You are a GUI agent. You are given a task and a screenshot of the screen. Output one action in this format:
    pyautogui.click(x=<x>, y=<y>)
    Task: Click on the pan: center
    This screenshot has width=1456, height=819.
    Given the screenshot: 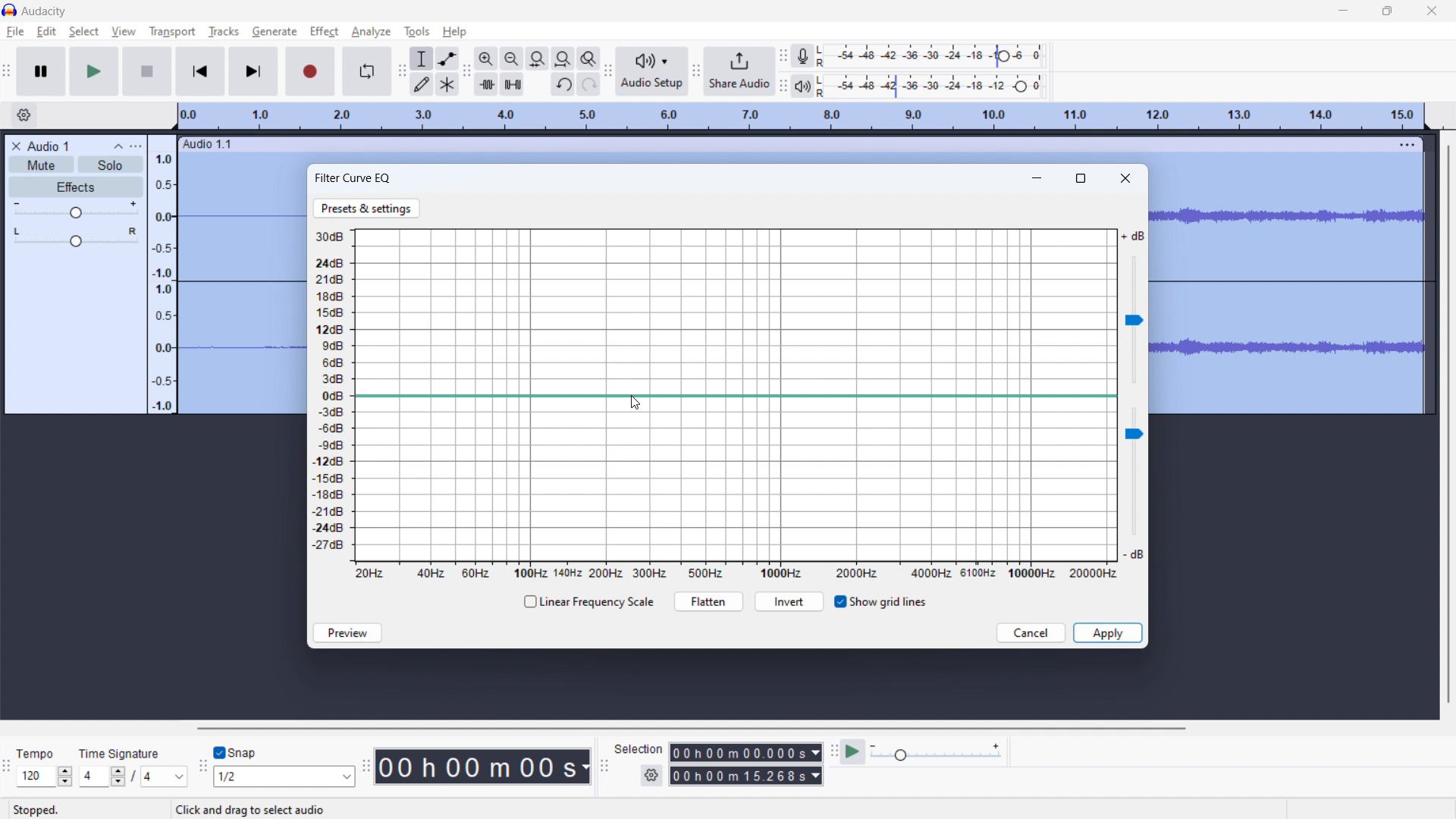 What is the action you would take?
    pyautogui.click(x=76, y=237)
    